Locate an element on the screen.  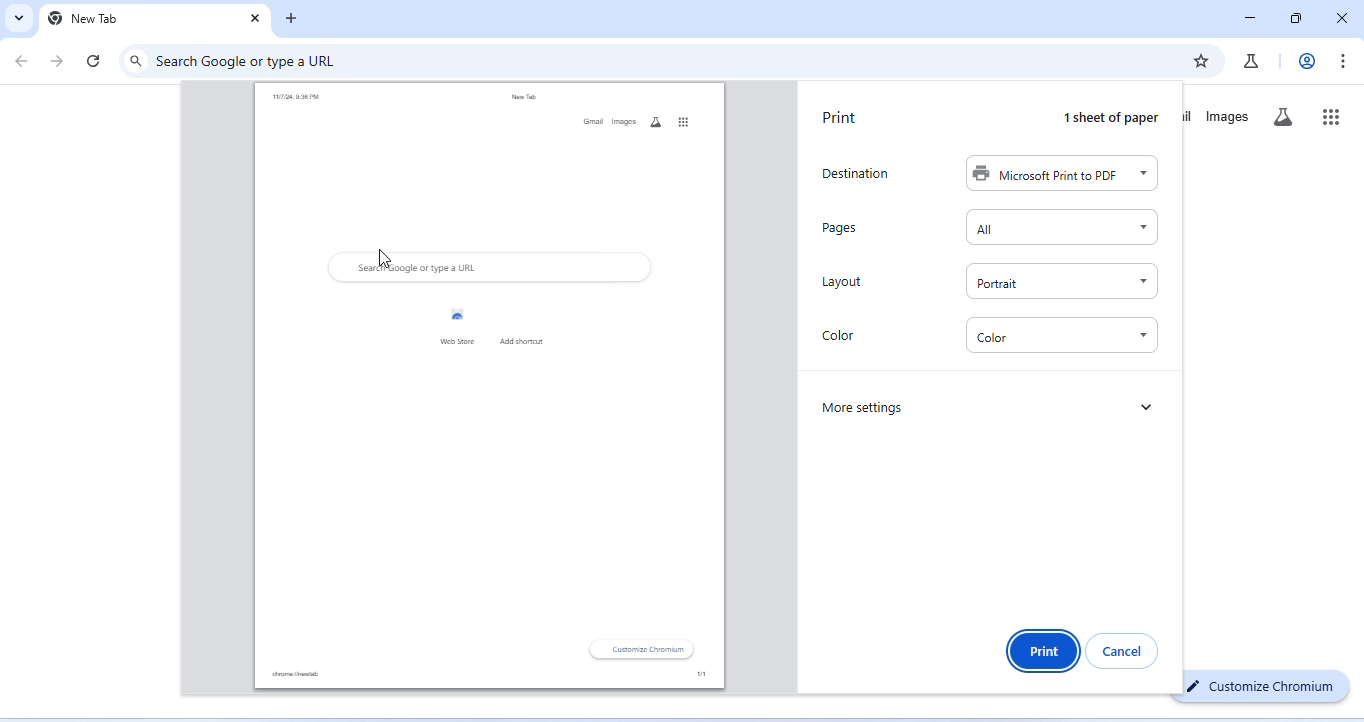
cursor movement is located at coordinates (383, 258).